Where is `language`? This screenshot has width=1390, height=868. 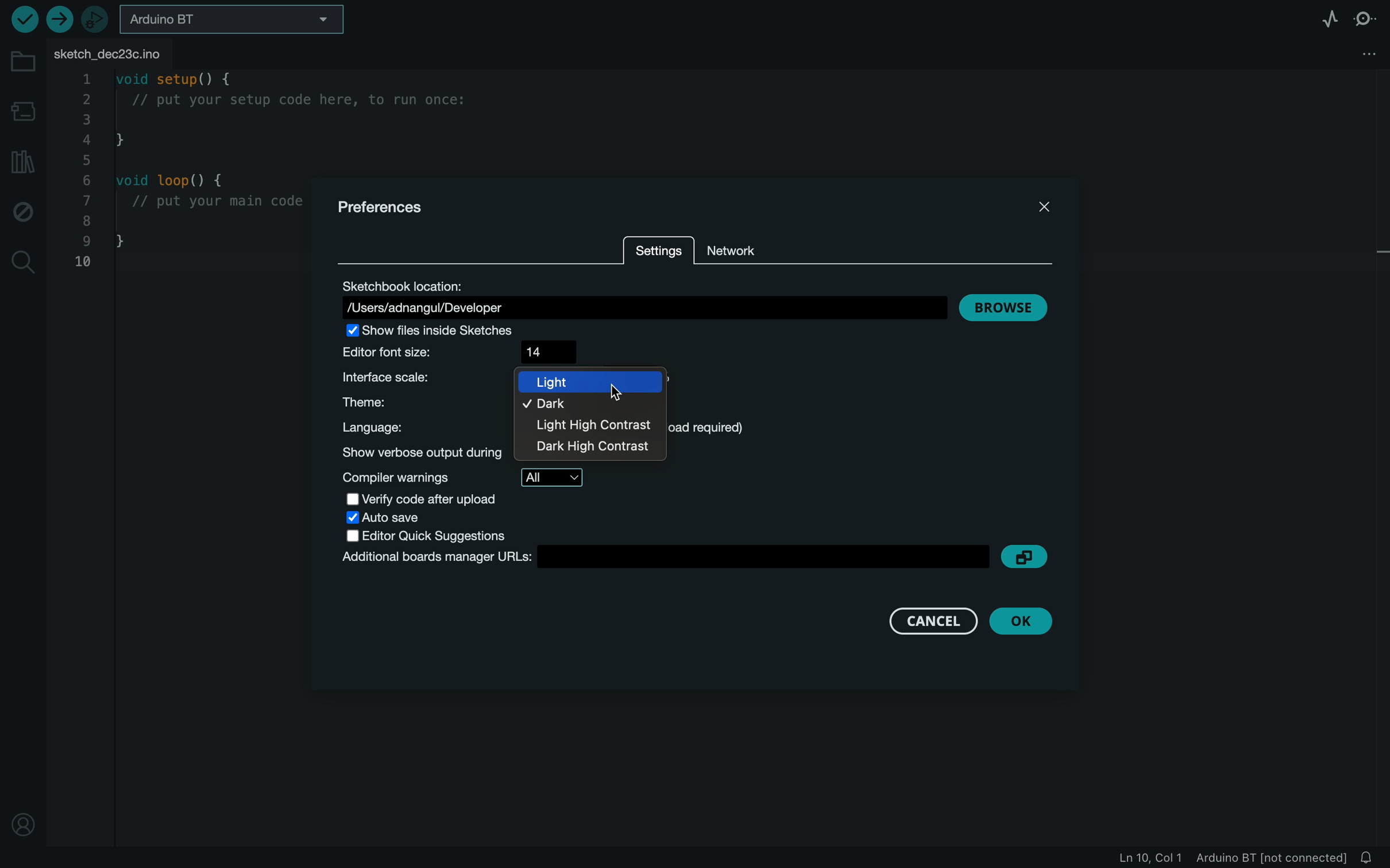 language is located at coordinates (423, 428).